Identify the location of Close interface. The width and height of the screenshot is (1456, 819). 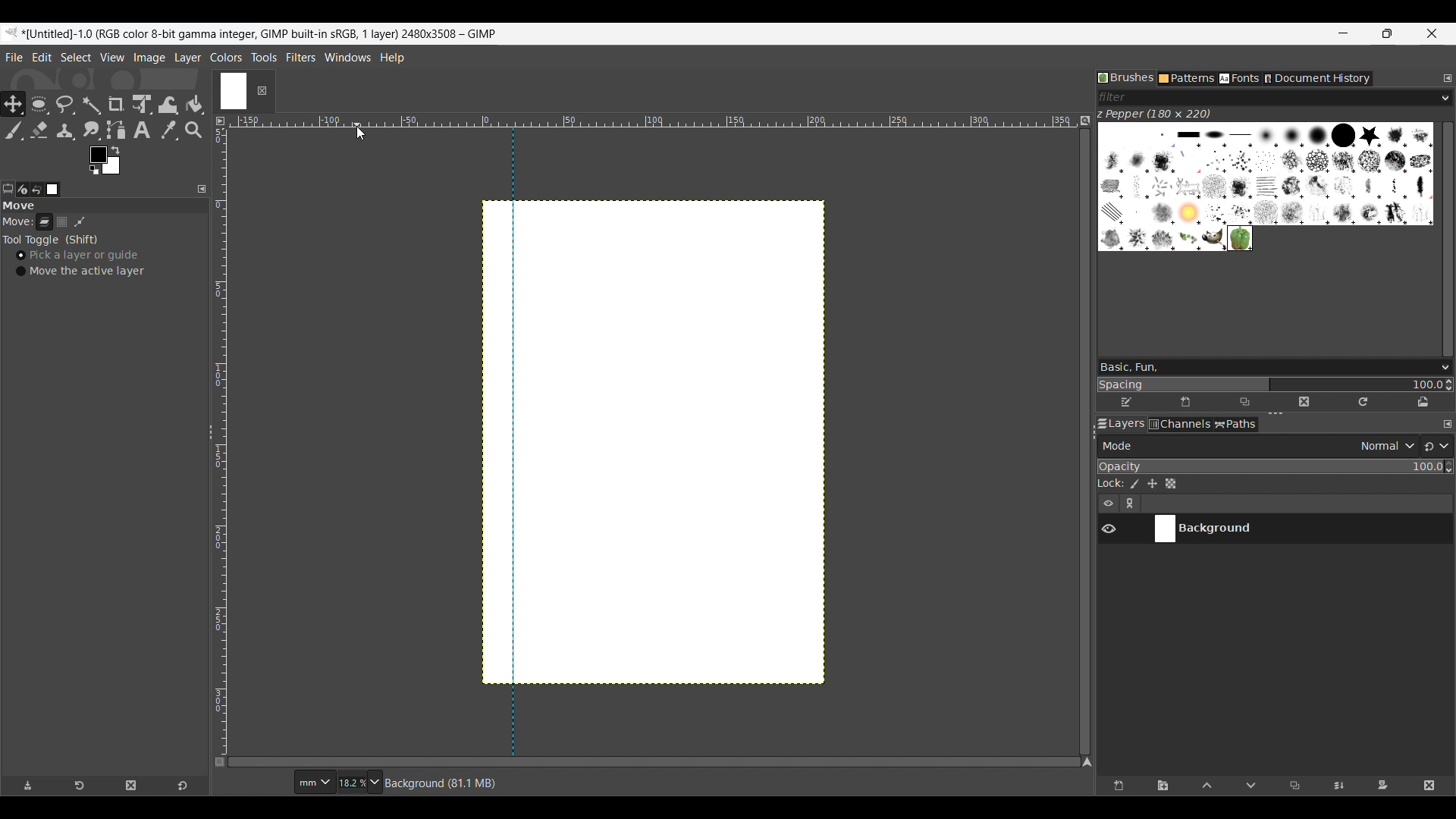
(1431, 33).